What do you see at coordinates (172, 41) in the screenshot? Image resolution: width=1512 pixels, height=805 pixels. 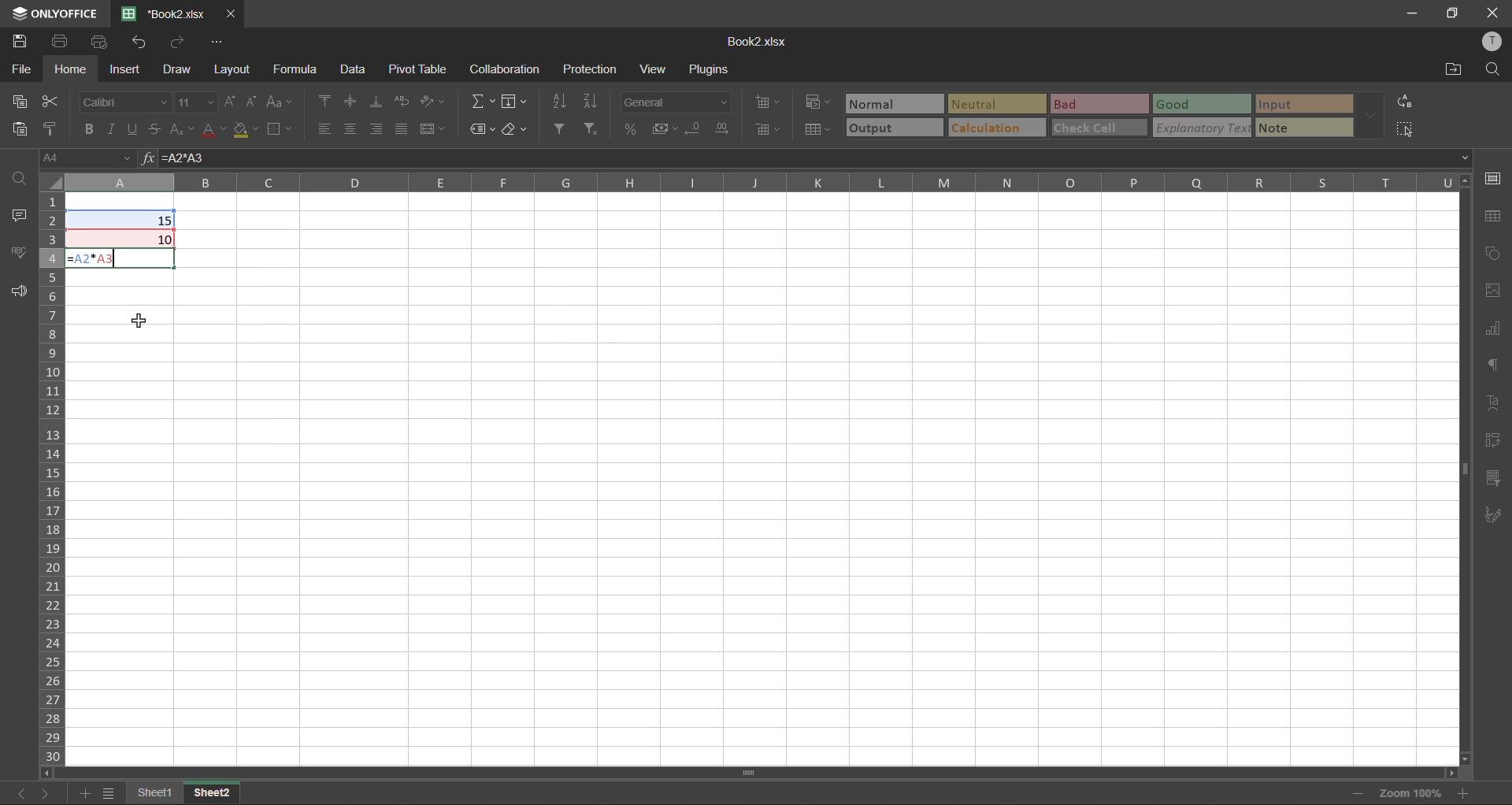 I see `redo` at bounding box center [172, 41].